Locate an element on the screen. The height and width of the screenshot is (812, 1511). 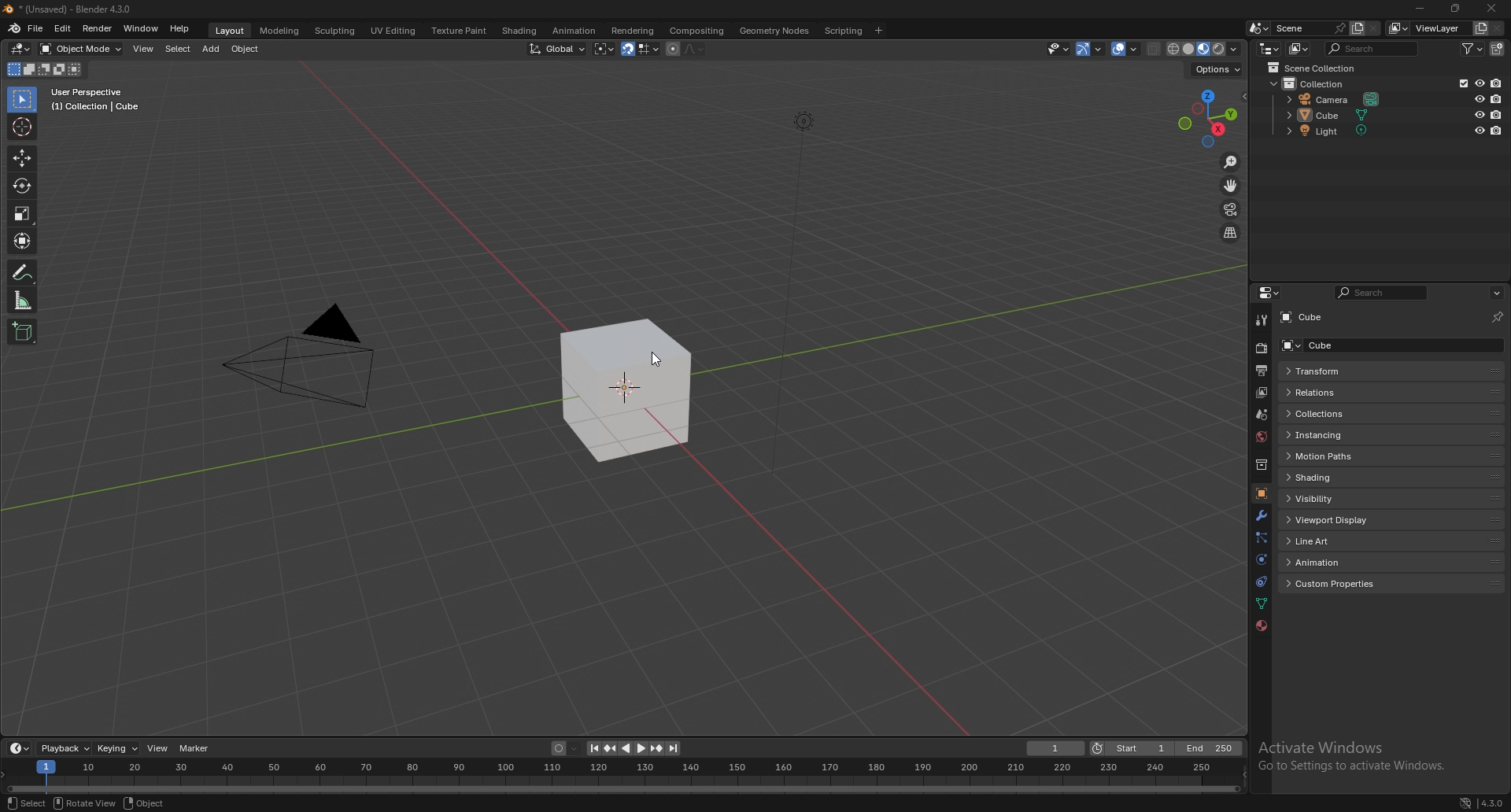
scene collection is located at coordinates (1316, 68).